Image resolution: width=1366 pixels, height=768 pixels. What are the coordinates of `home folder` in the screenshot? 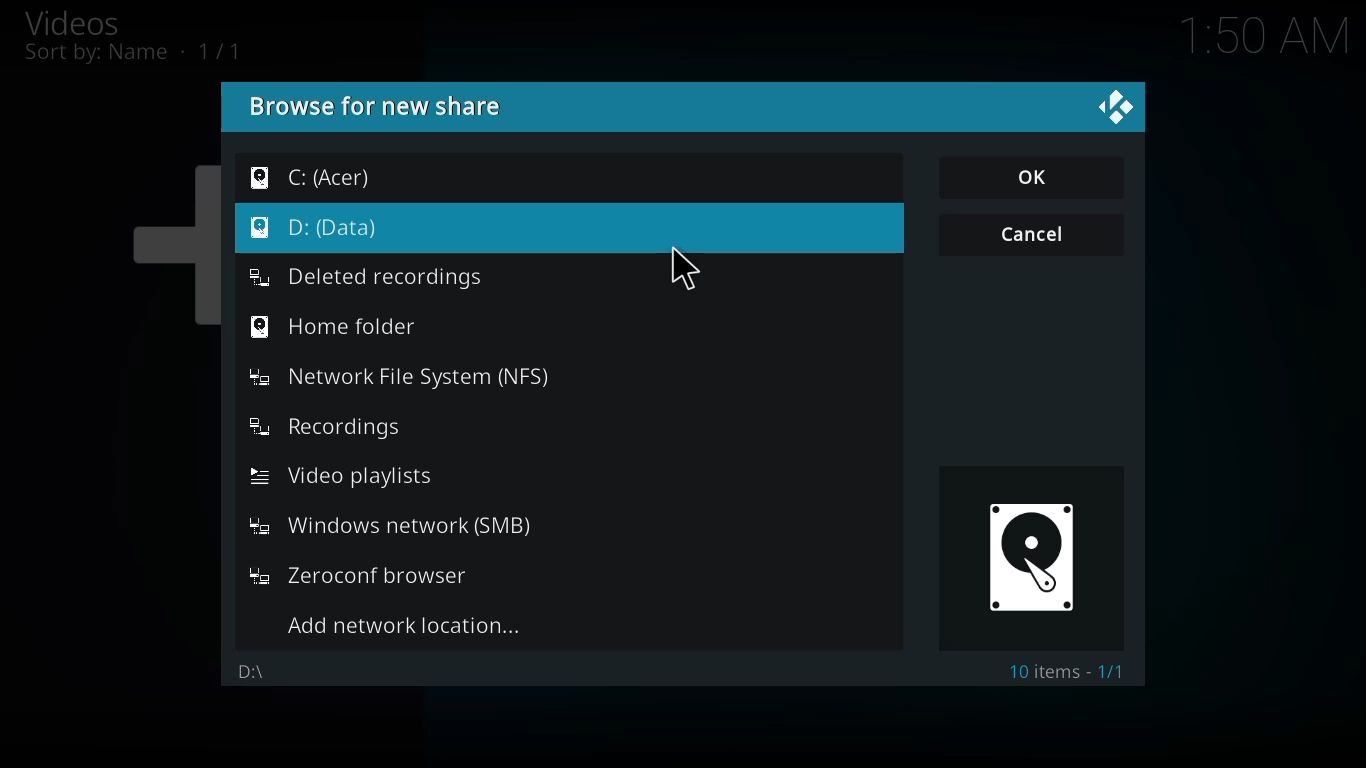 It's located at (337, 326).